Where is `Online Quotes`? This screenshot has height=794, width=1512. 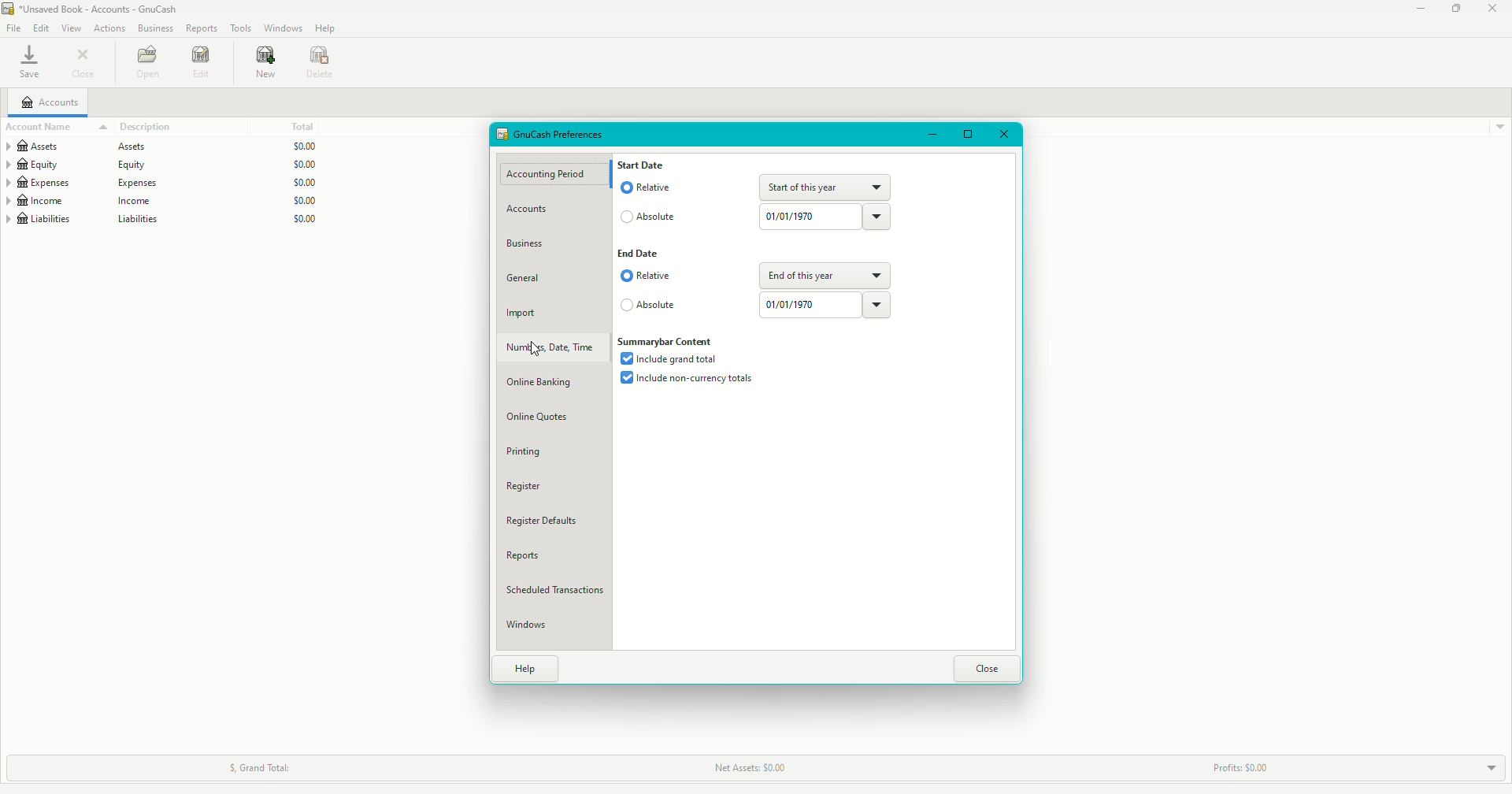 Online Quotes is located at coordinates (547, 416).